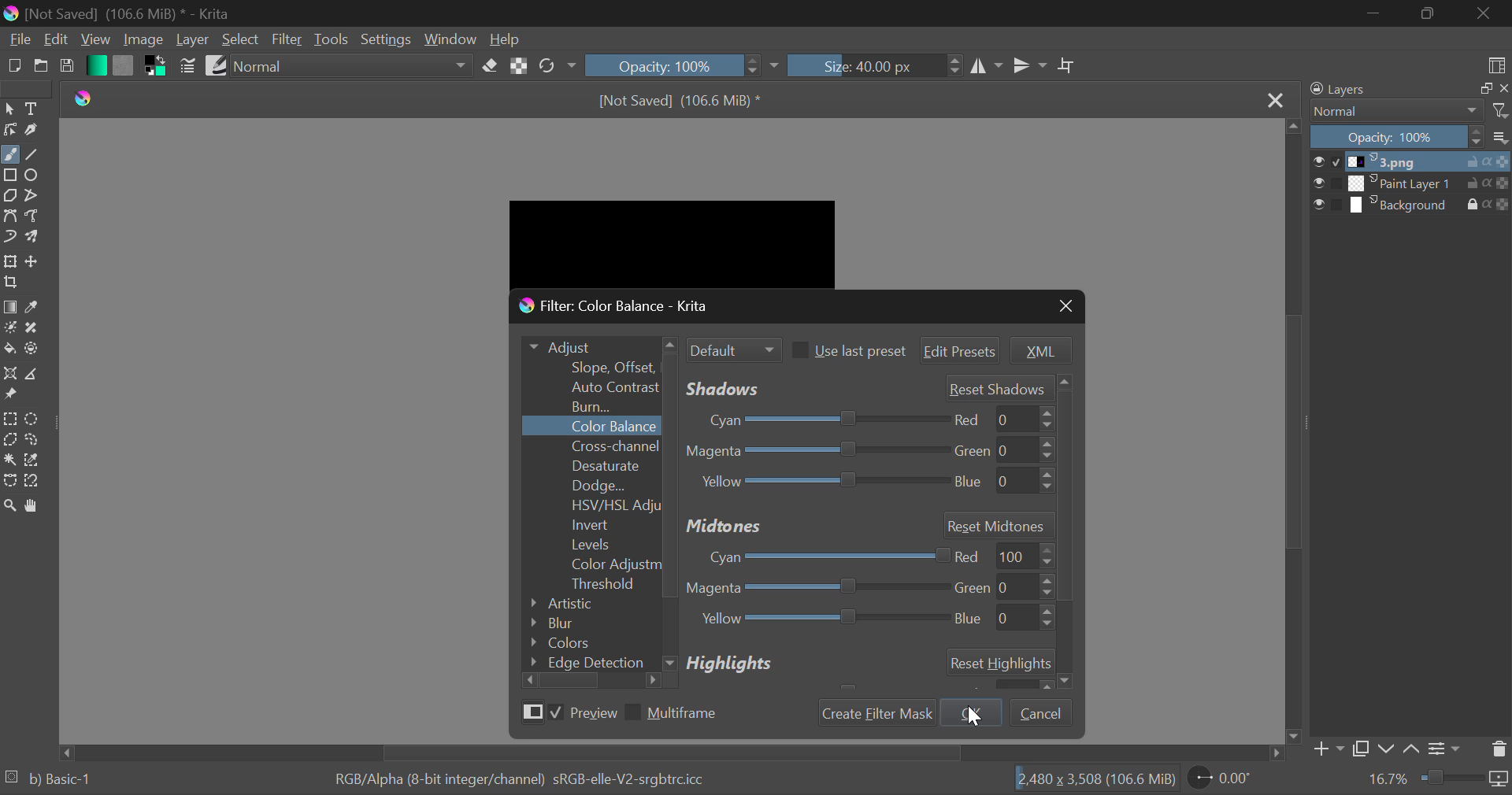  I want to click on Select, so click(243, 39).